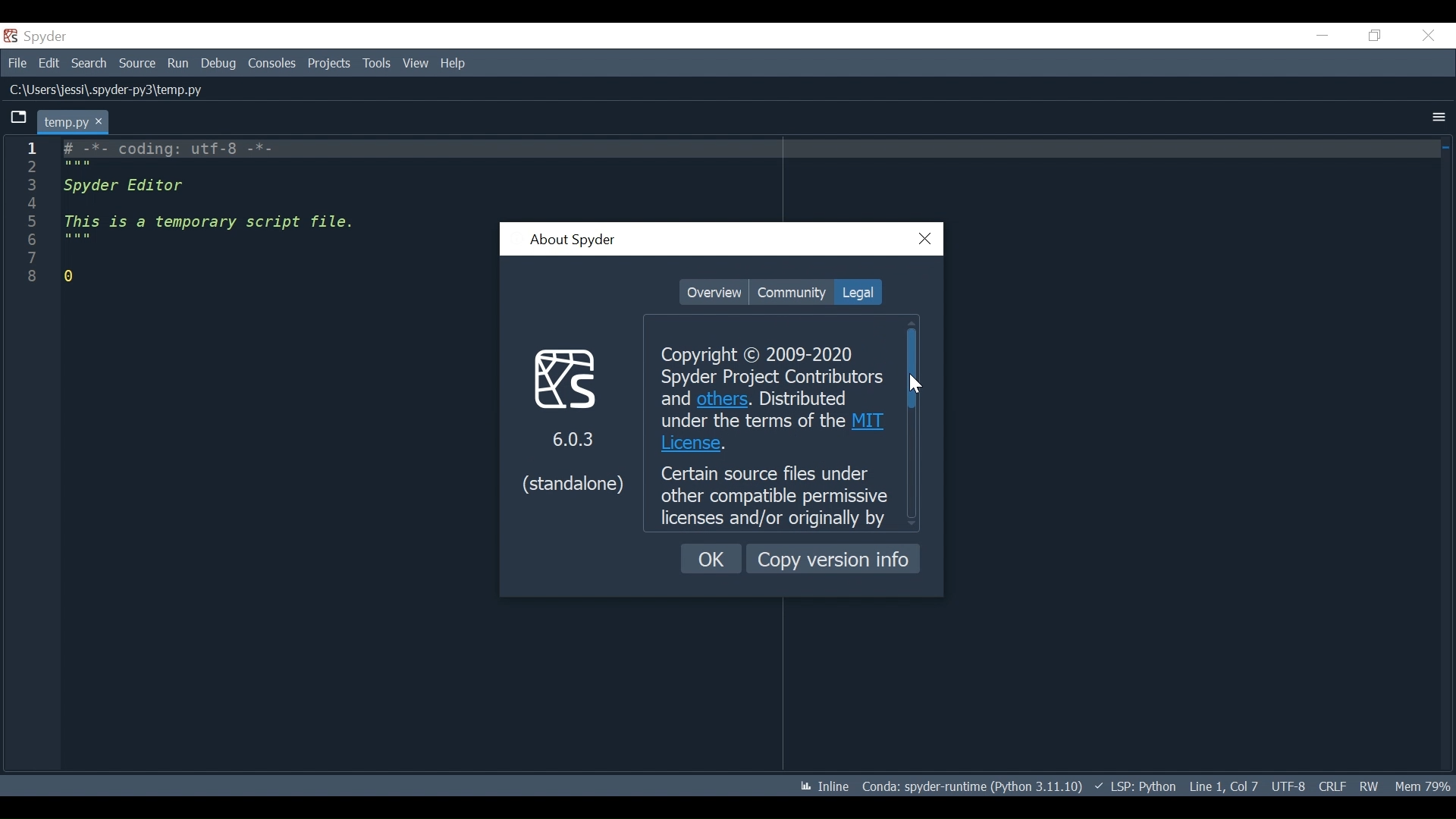 This screenshot has width=1456, height=819. I want to click on View, so click(416, 63).